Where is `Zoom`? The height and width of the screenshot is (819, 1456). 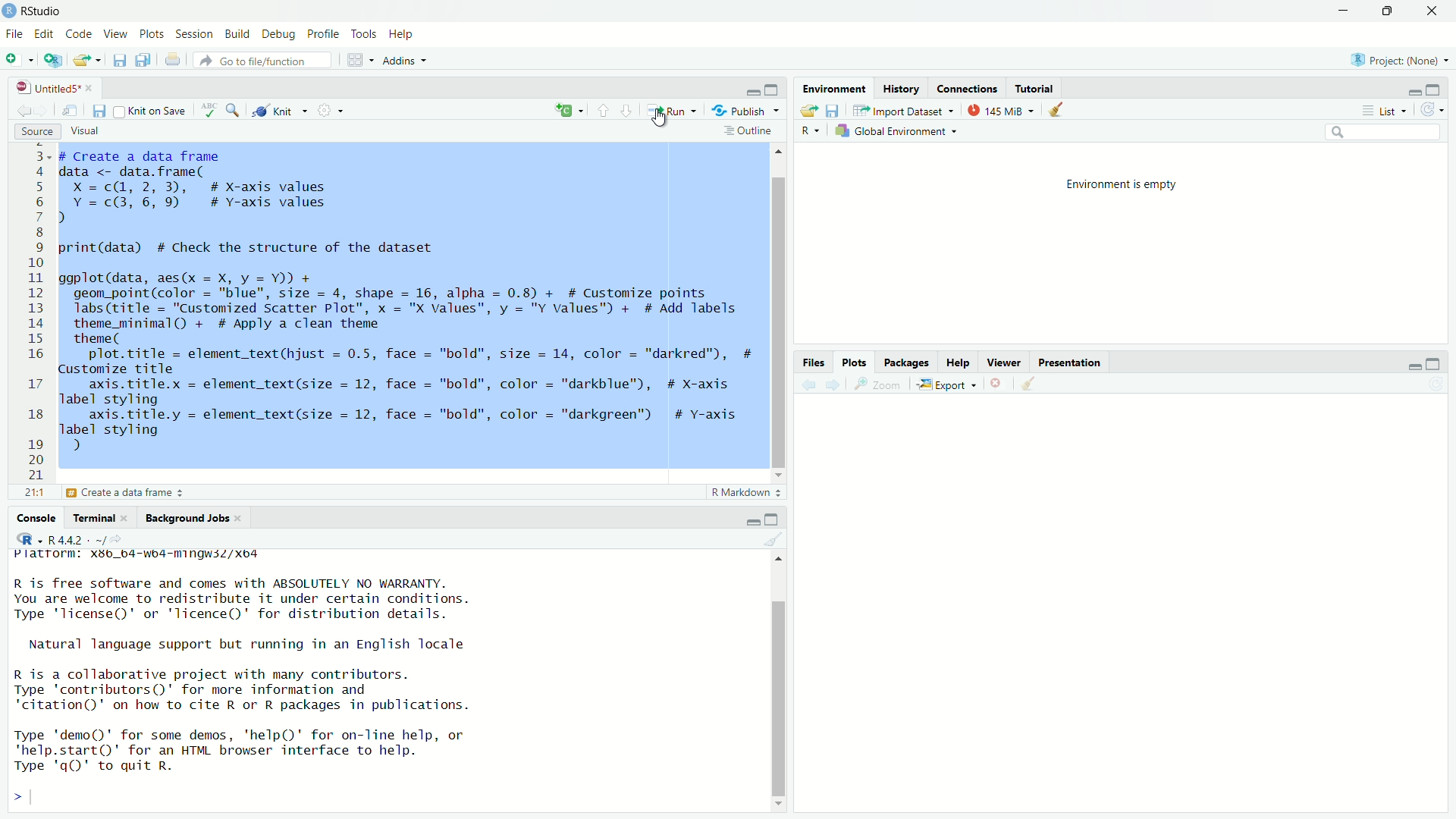 Zoom is located at coordinates (877, 385).